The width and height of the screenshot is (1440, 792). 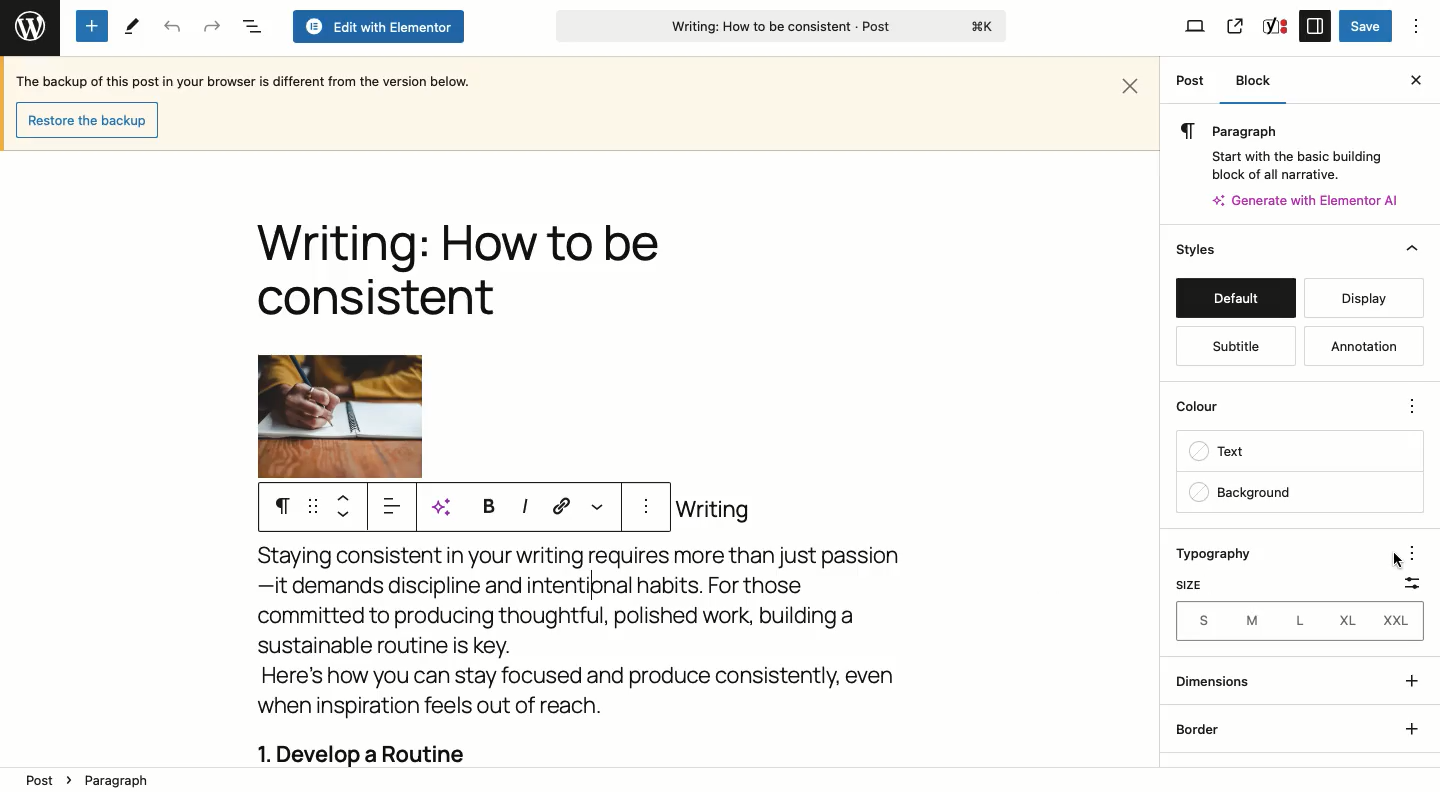 What do you see at coordinates (1298, 622) in the screenshot?
I see `S M L XL XXL` at bounding box center [1298, 622].